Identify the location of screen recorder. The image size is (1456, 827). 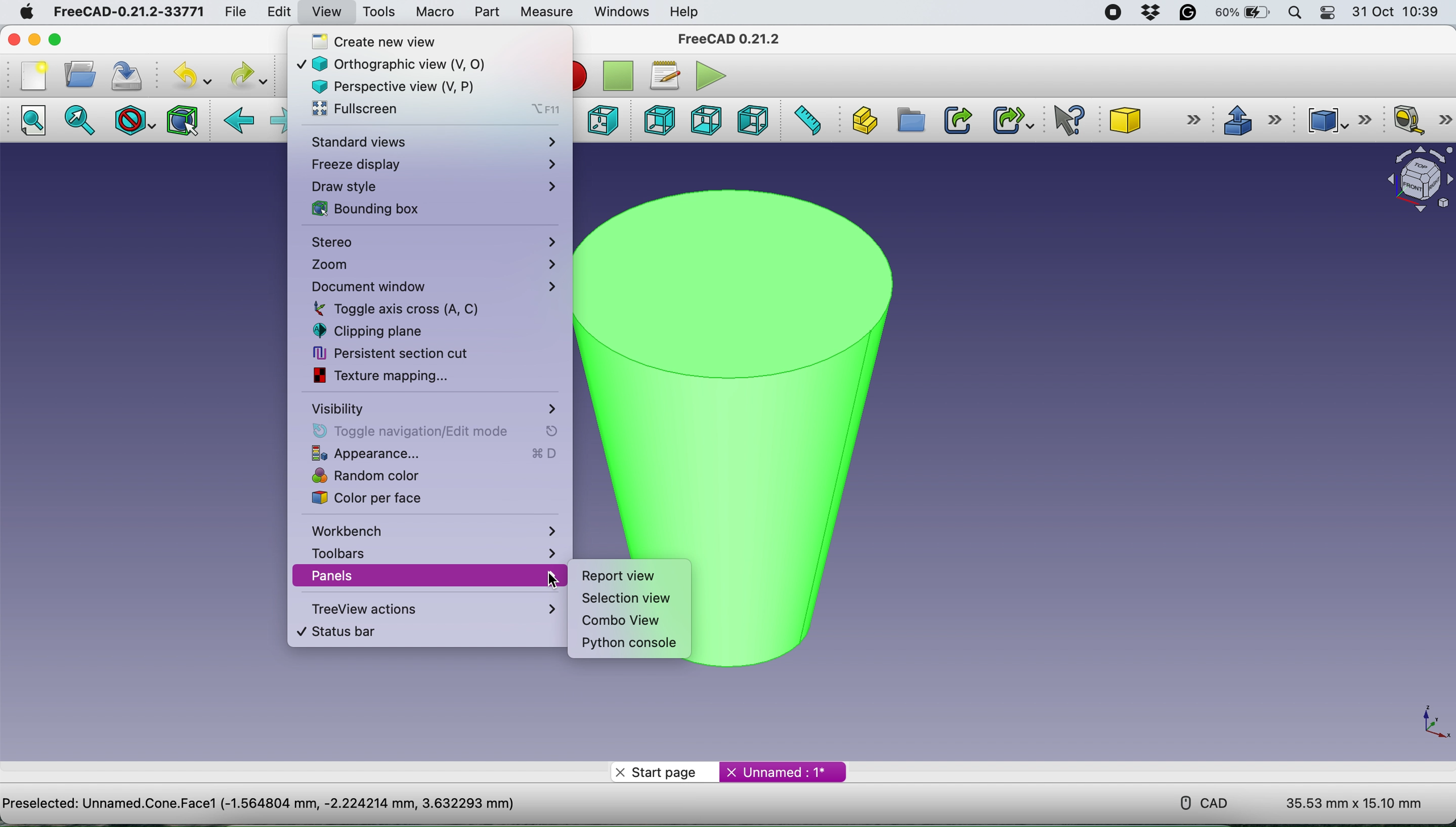
(1109, 12).